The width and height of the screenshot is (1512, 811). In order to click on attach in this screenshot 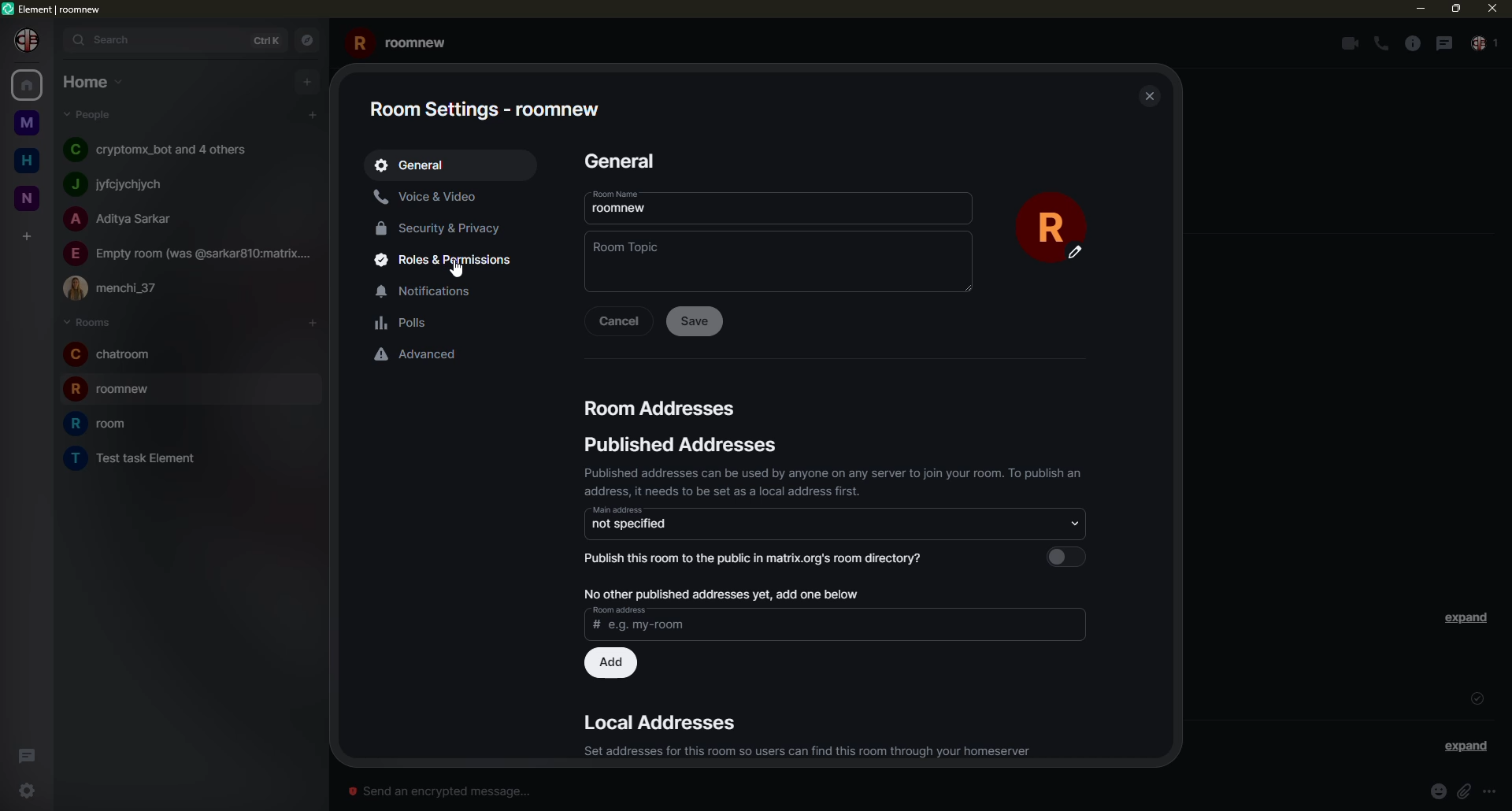, I will do `click(1467, 791)`.